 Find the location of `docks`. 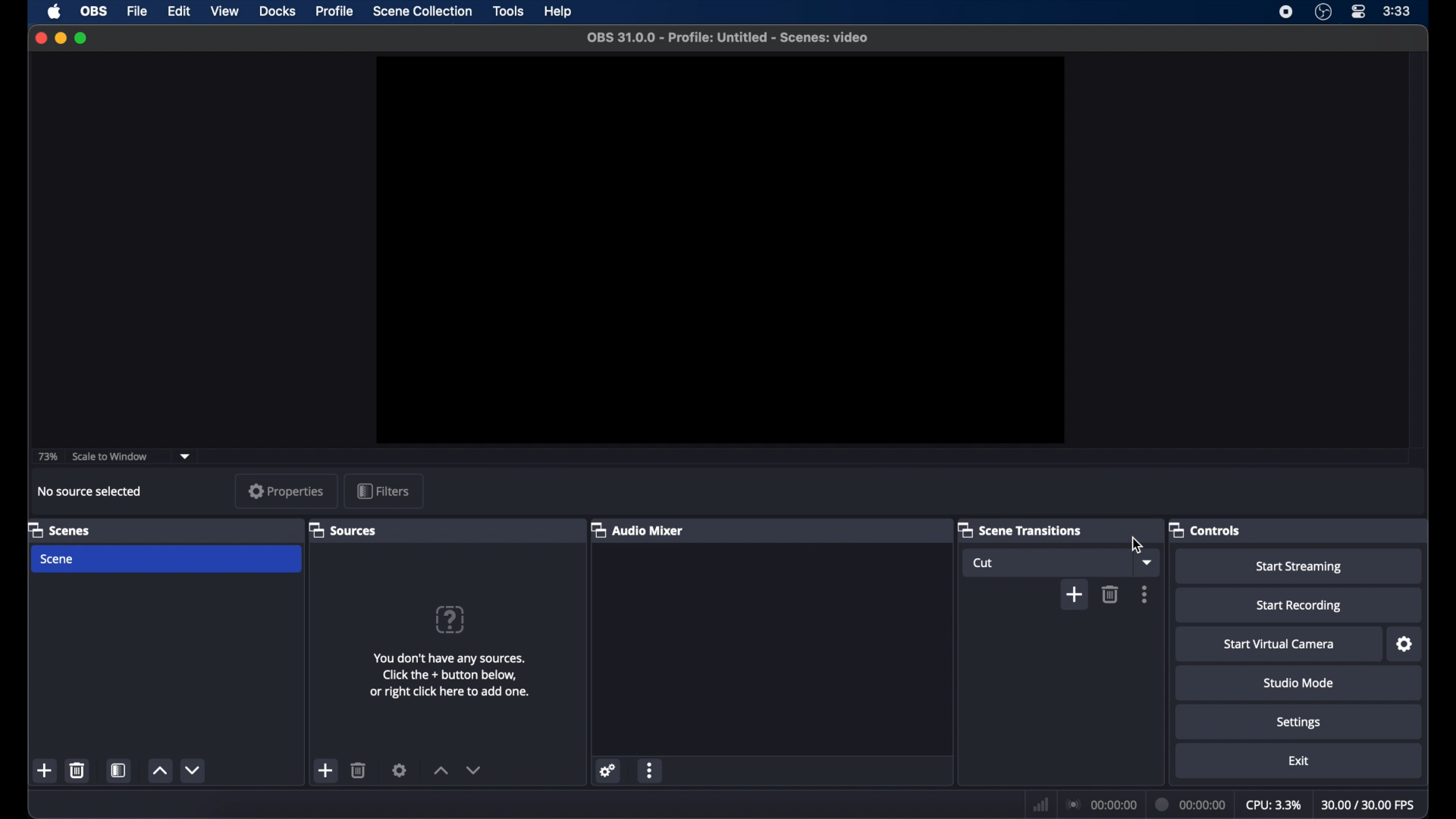

docks is located at coordinates (278, 11).